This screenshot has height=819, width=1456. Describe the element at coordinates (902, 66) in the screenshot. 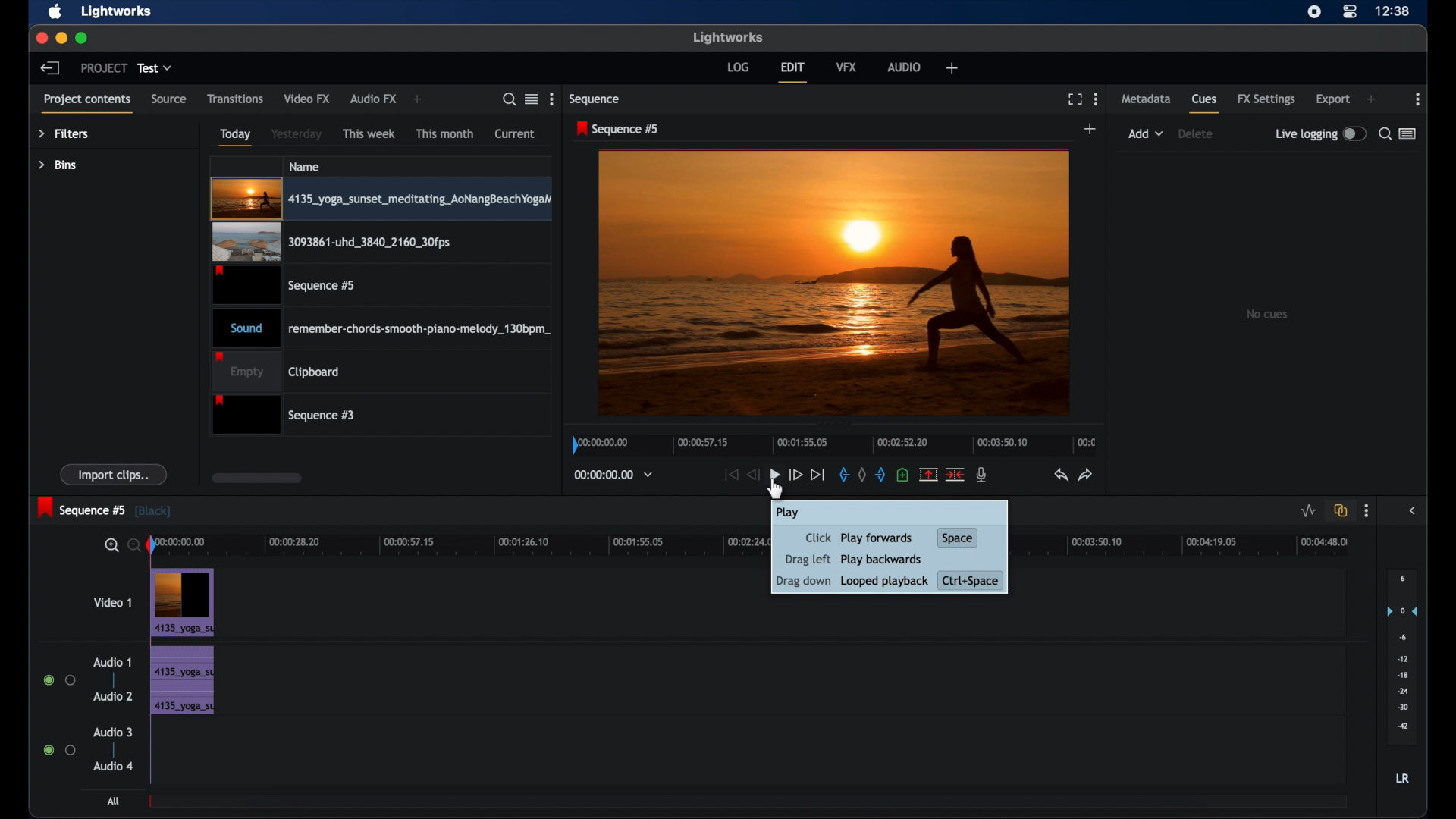

I see `audio` at that location.